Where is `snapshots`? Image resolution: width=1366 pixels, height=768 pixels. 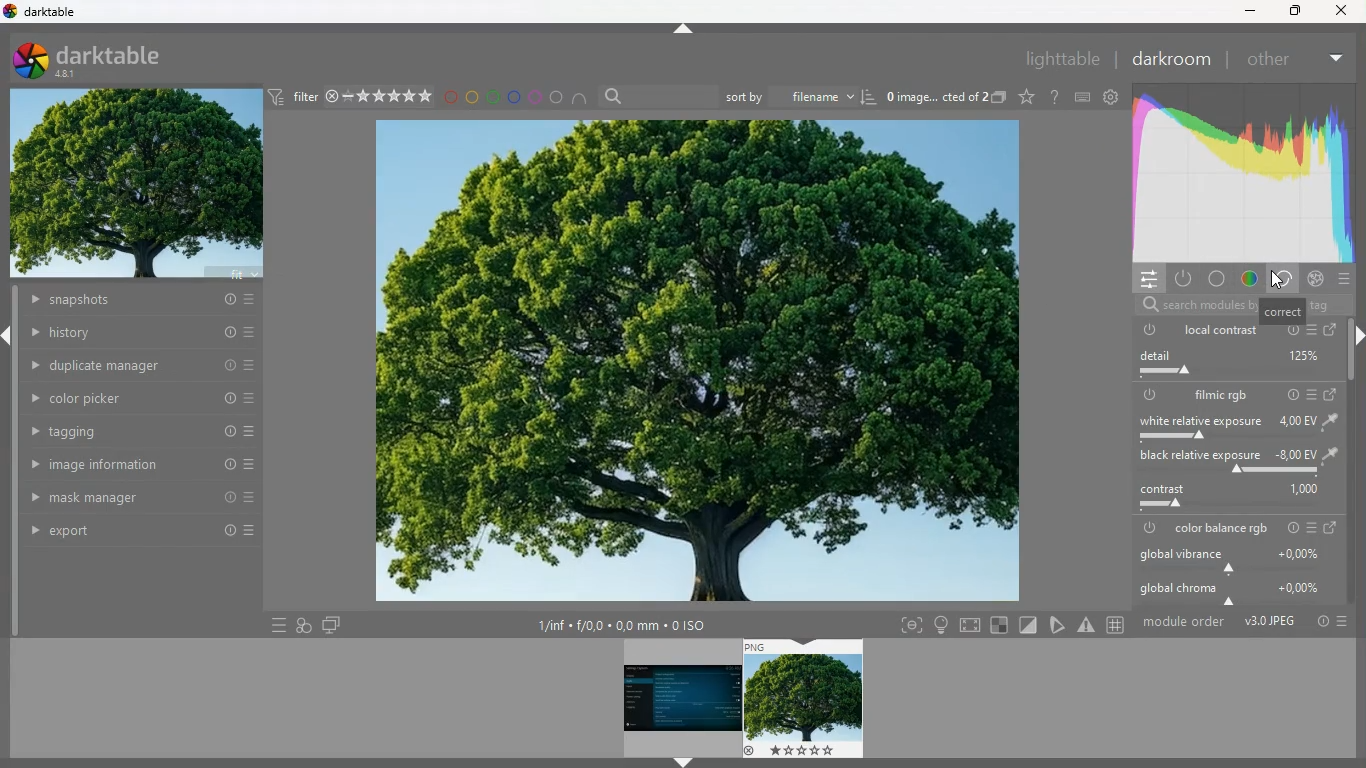
snapshots is located at coordinates (139, 300).